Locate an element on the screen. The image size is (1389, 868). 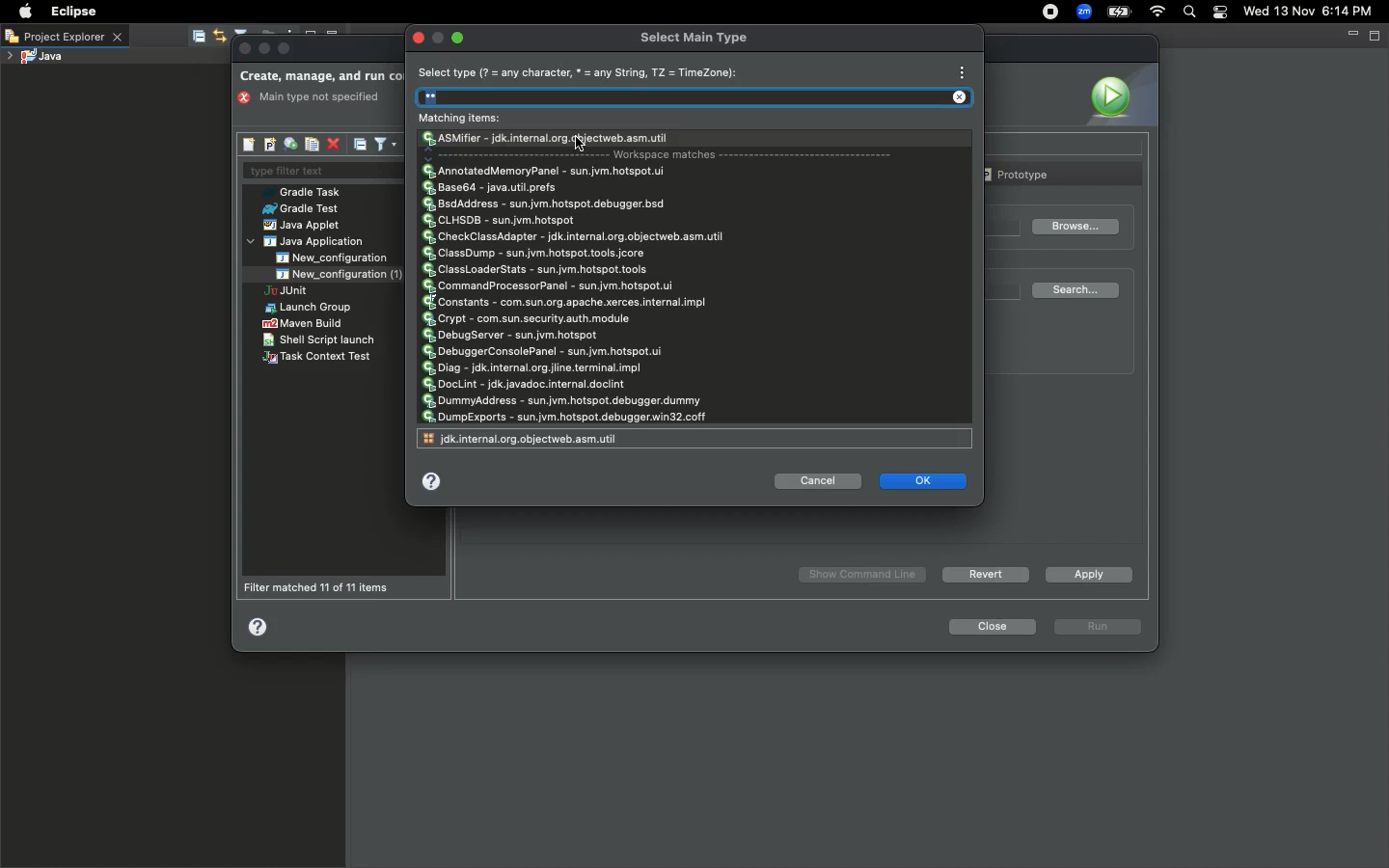
View menu is located at coordinates (961, 71).